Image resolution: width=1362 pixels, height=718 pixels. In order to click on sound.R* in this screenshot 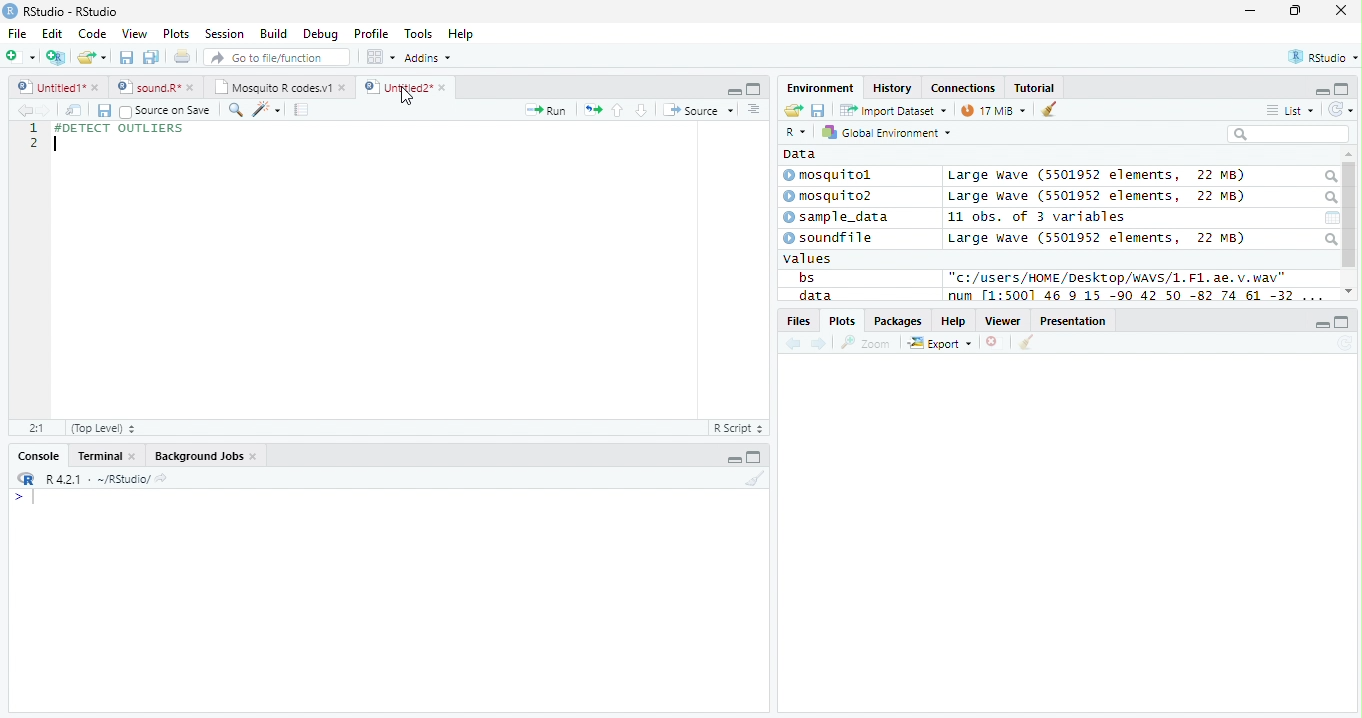, I will do `click(153, 86)`.